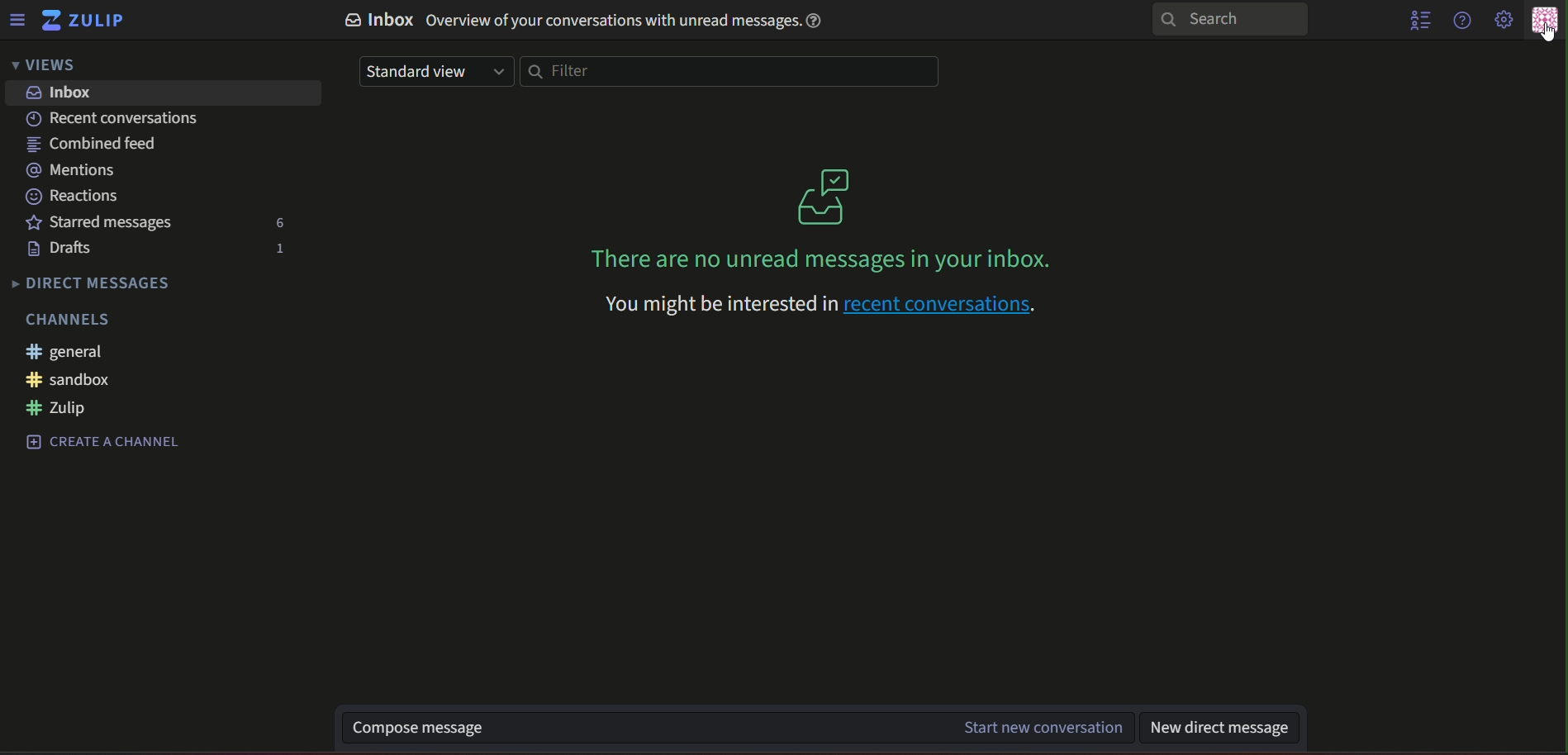 Image resolution: width=1568 pixels, height=755 pixels. Describe the element at coordinates (69, 380) in the screenshot. I see `#sandbox` at that location.